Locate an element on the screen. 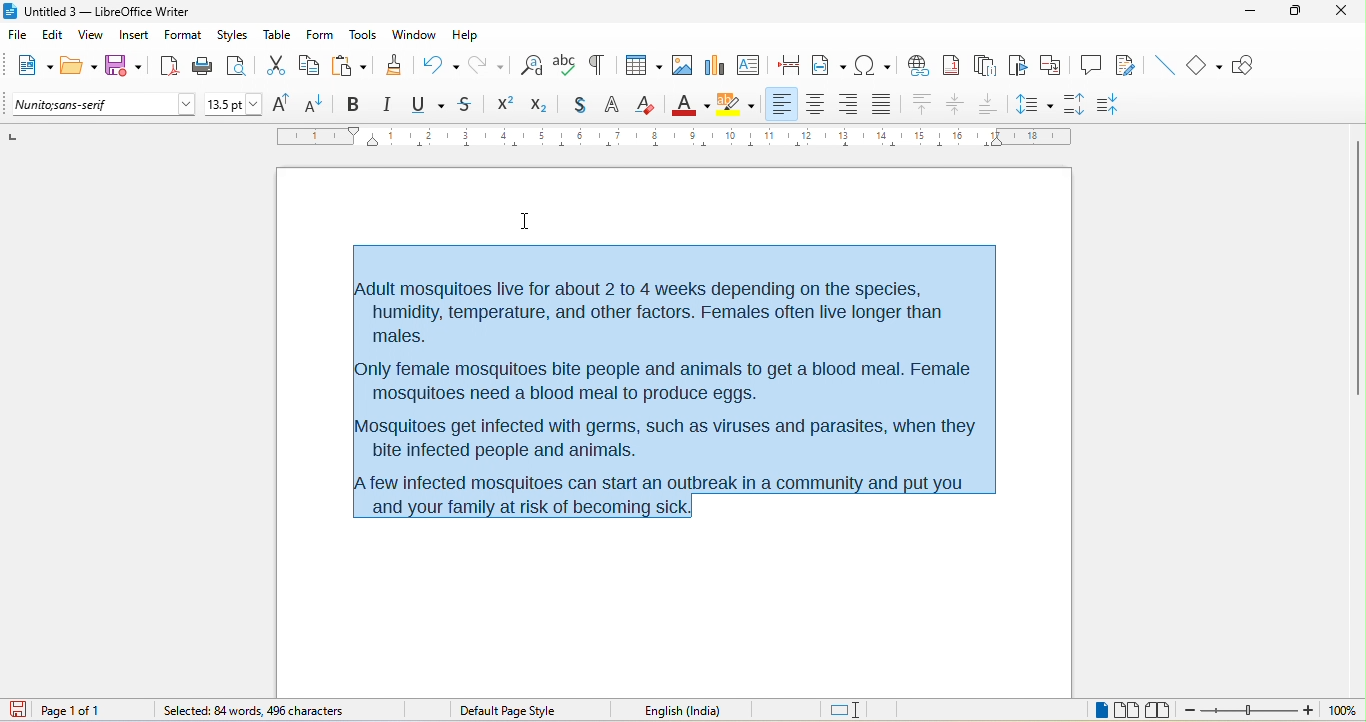  align left is located at coordinates (781, 103).